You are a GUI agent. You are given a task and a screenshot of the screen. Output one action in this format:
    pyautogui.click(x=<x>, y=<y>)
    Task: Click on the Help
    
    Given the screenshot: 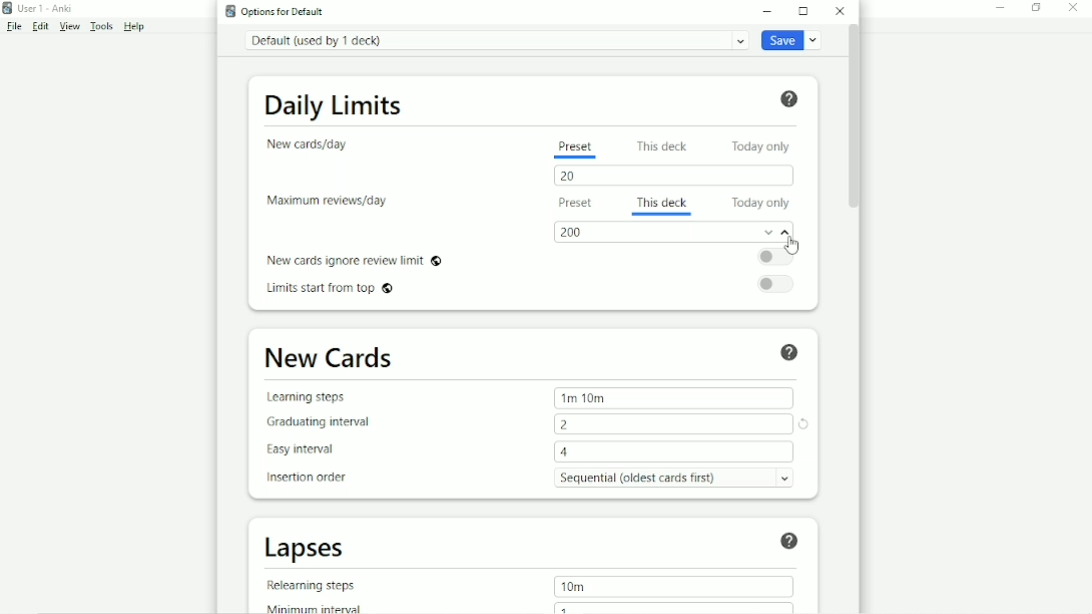 What is the action you would take?
    pyautogui.click(x=788, y=539)
    